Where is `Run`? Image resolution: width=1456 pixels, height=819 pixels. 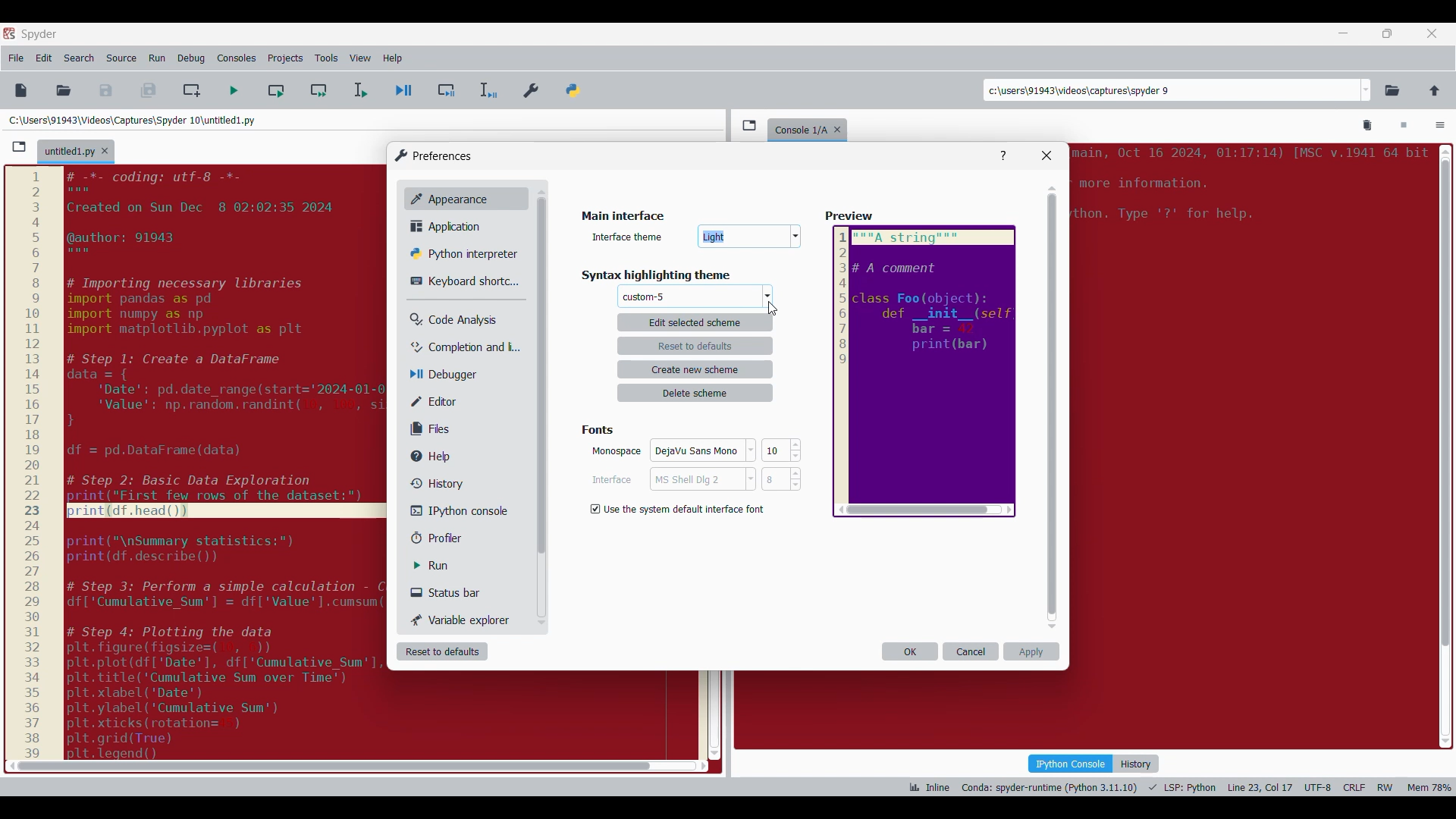 Run is located at coordinates (442, 566).